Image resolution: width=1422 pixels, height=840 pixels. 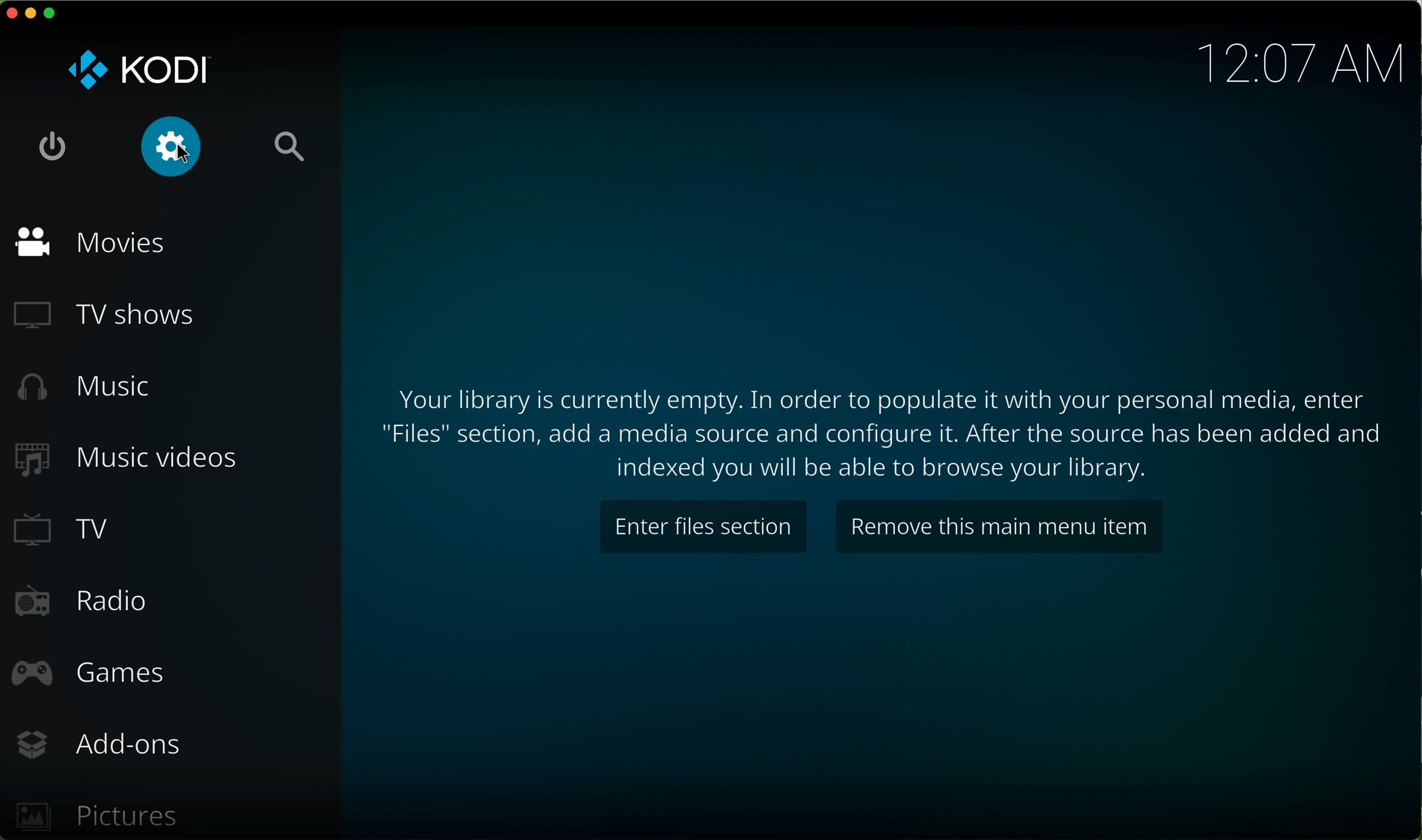 I want to click on search, so click(x=289, y=145).